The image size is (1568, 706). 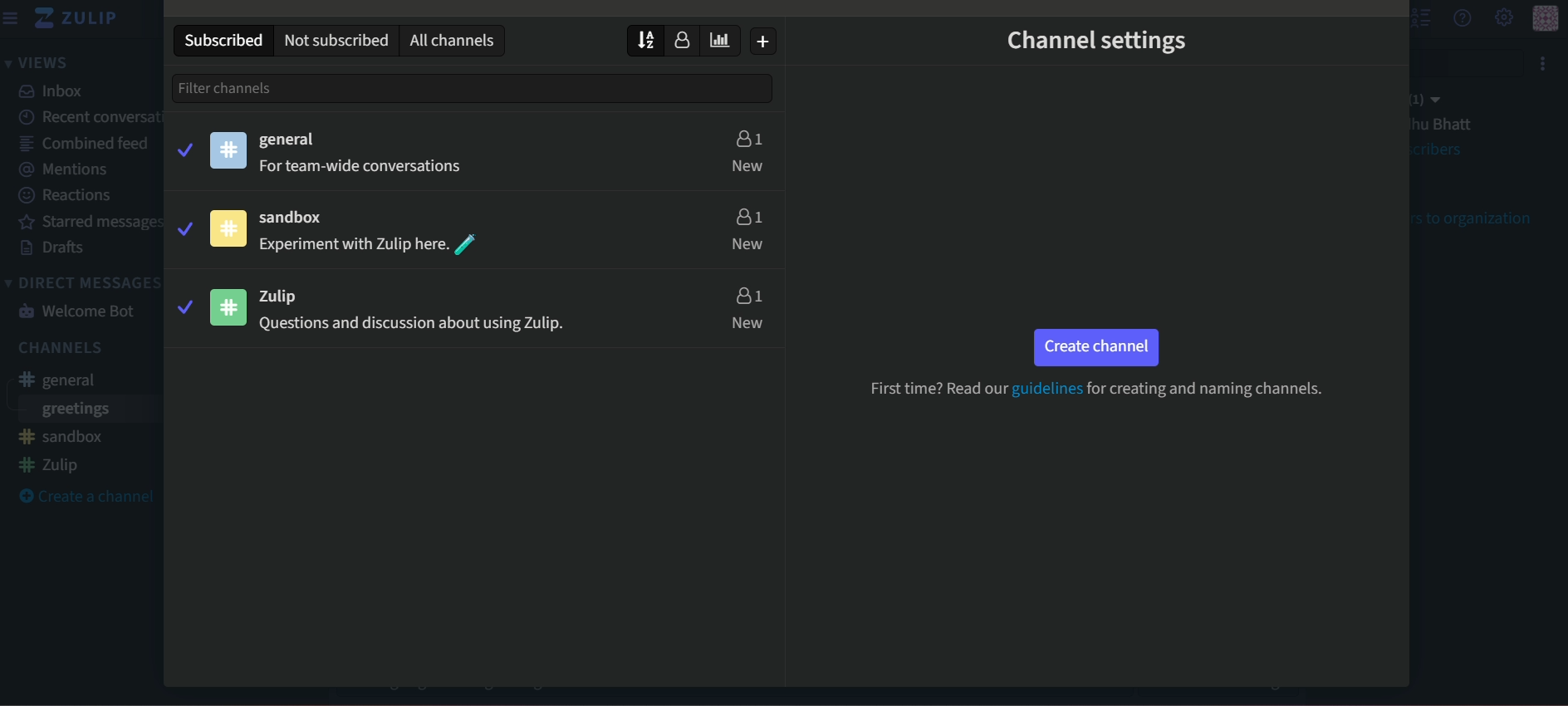 What do you see at coordinates (76, 21) in the screenshot?
I see `name and logo` at bounding box center [76, 21].